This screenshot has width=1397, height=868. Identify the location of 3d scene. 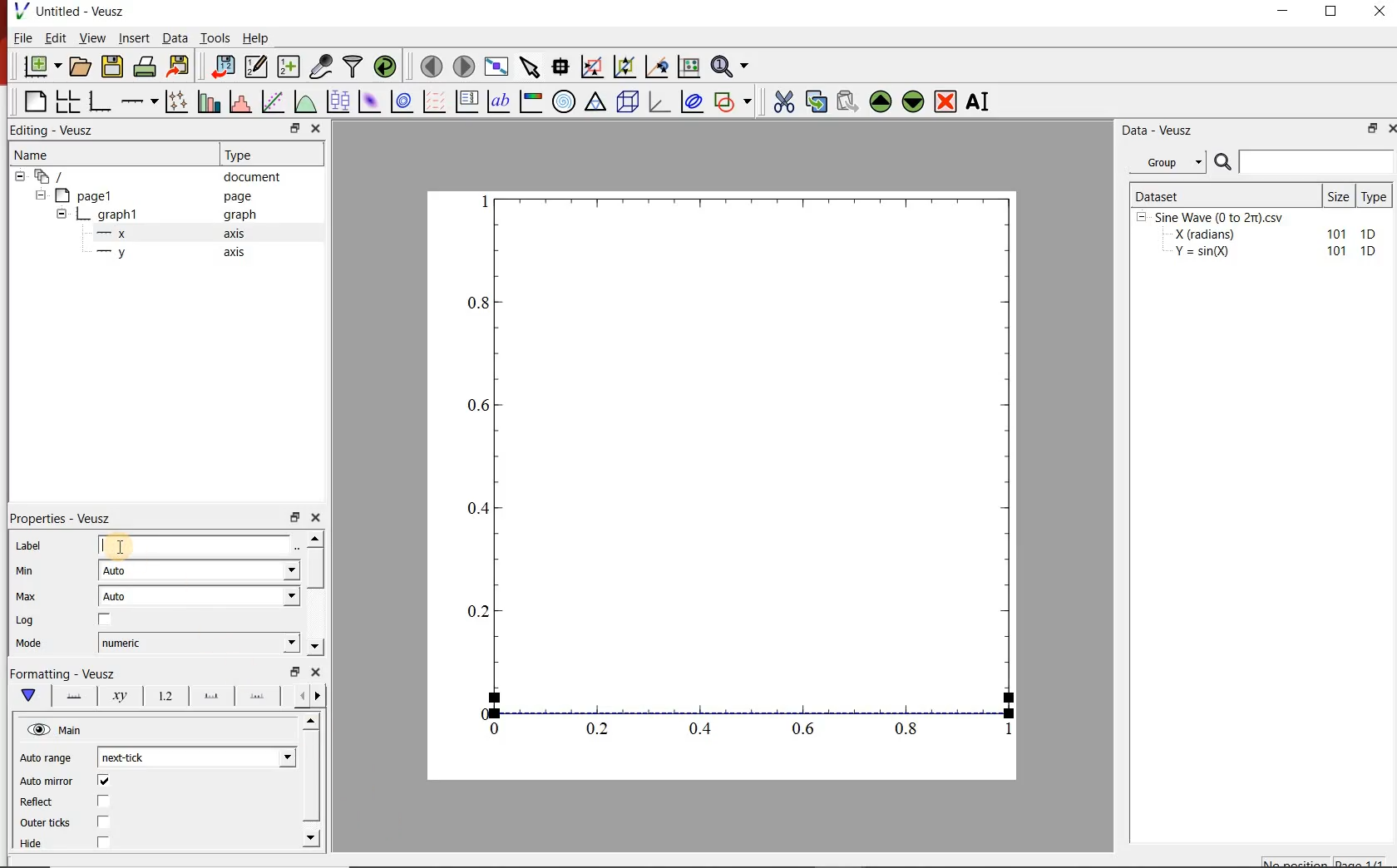
(628, 101).